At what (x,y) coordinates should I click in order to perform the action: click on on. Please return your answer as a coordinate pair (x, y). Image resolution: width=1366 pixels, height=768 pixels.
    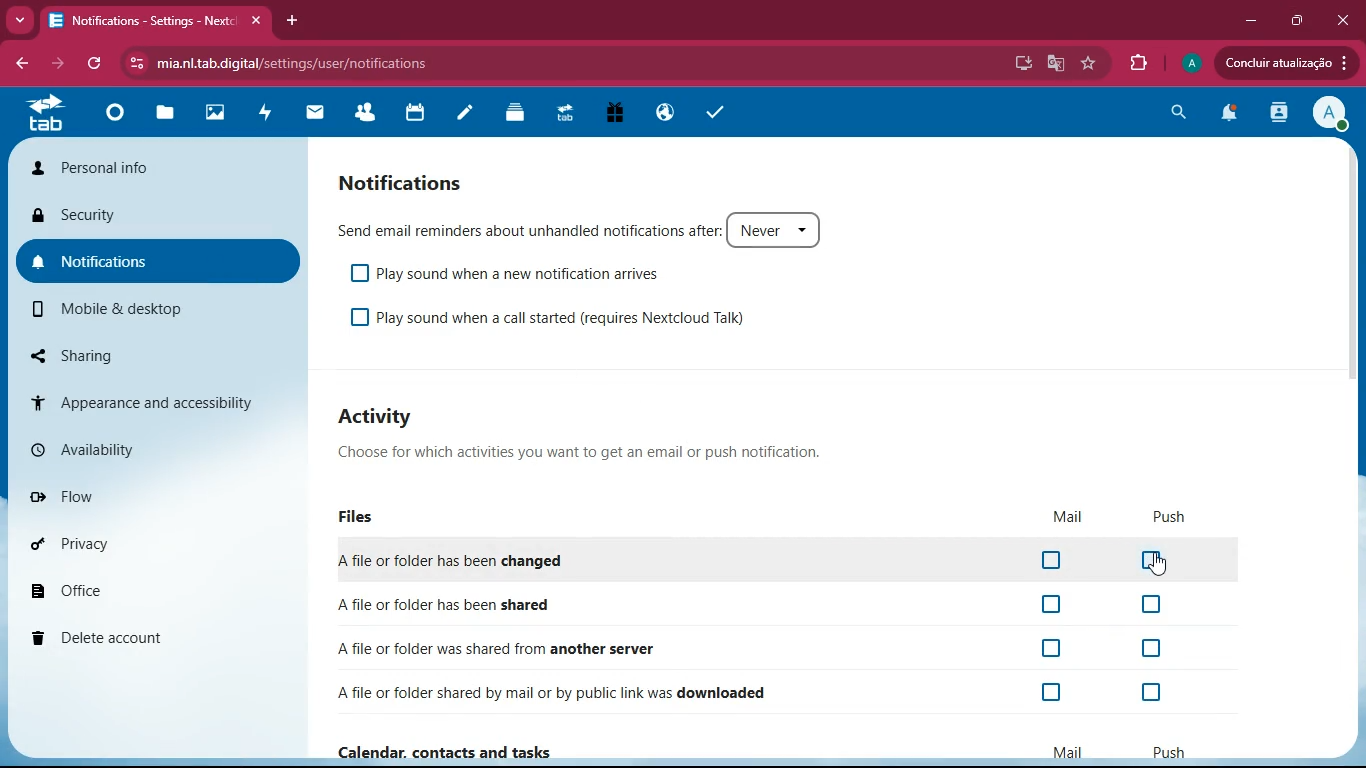
    Looking at the image, I should click on (1058, 692).